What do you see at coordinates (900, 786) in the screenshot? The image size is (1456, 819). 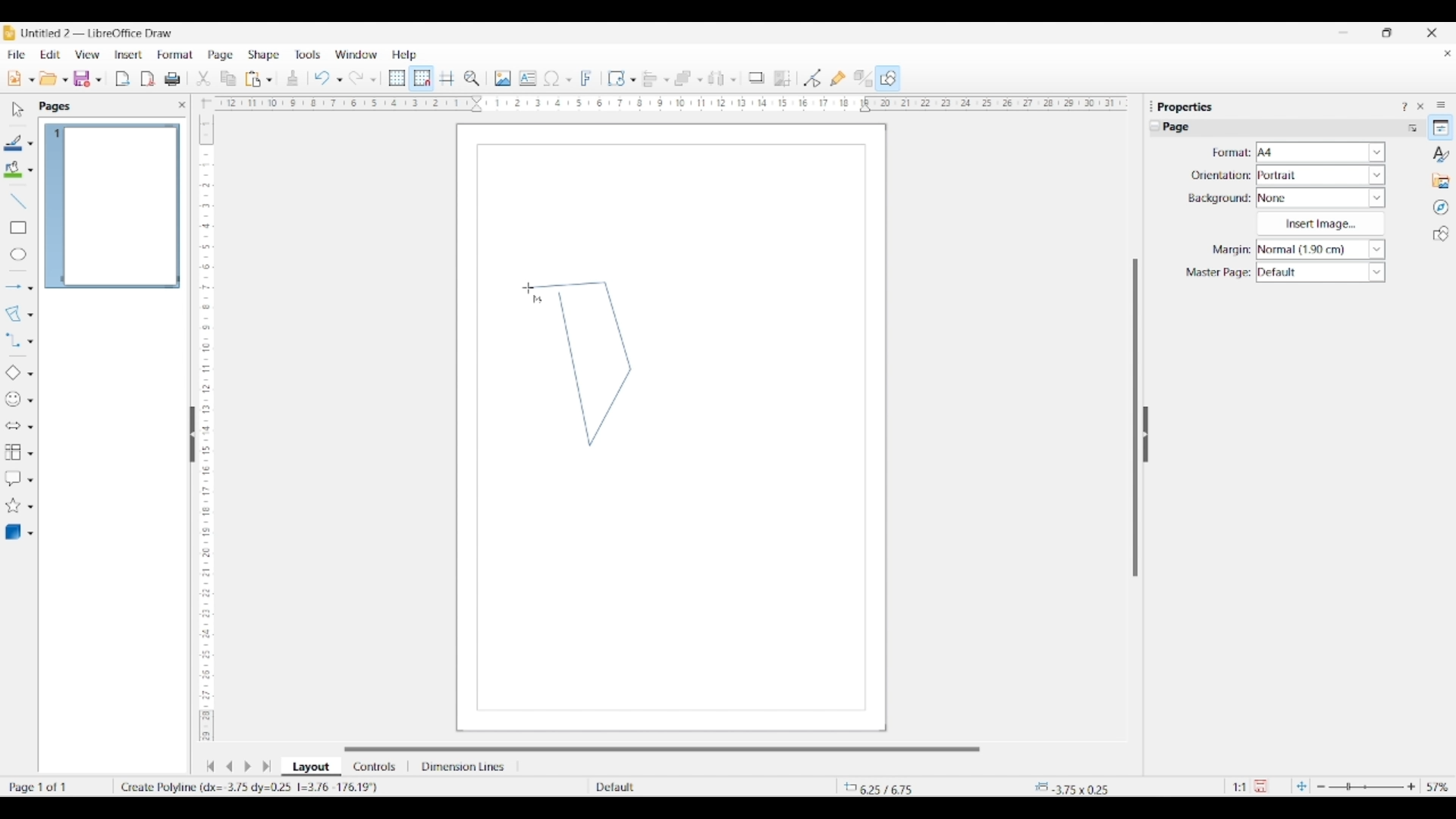 I see `Cursor co-ordinates changed` at bounding box center [900, 786].